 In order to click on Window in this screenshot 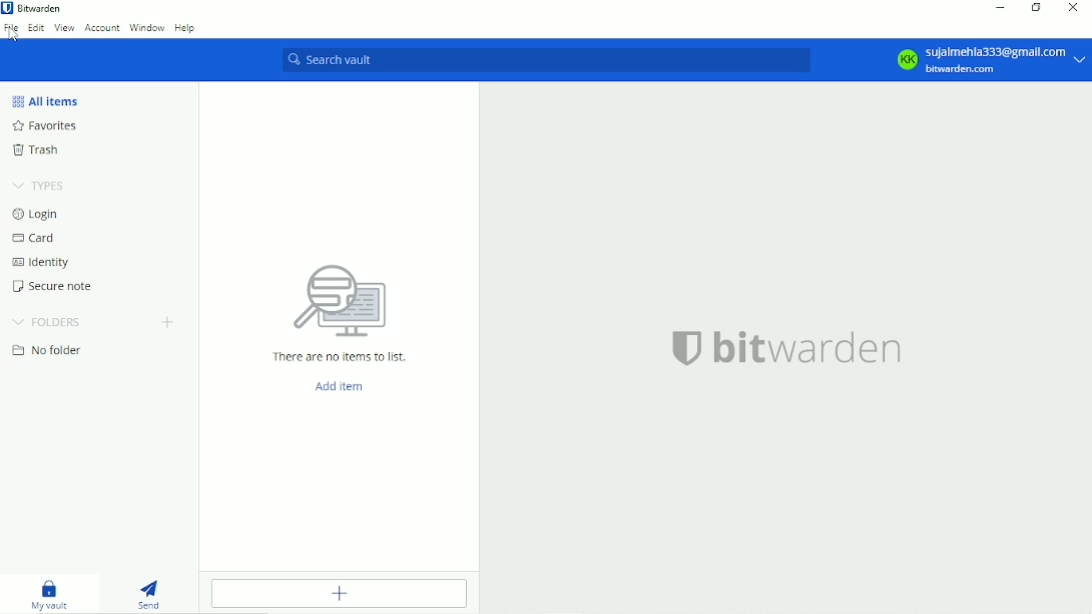, I will do `click(146, 27)`.